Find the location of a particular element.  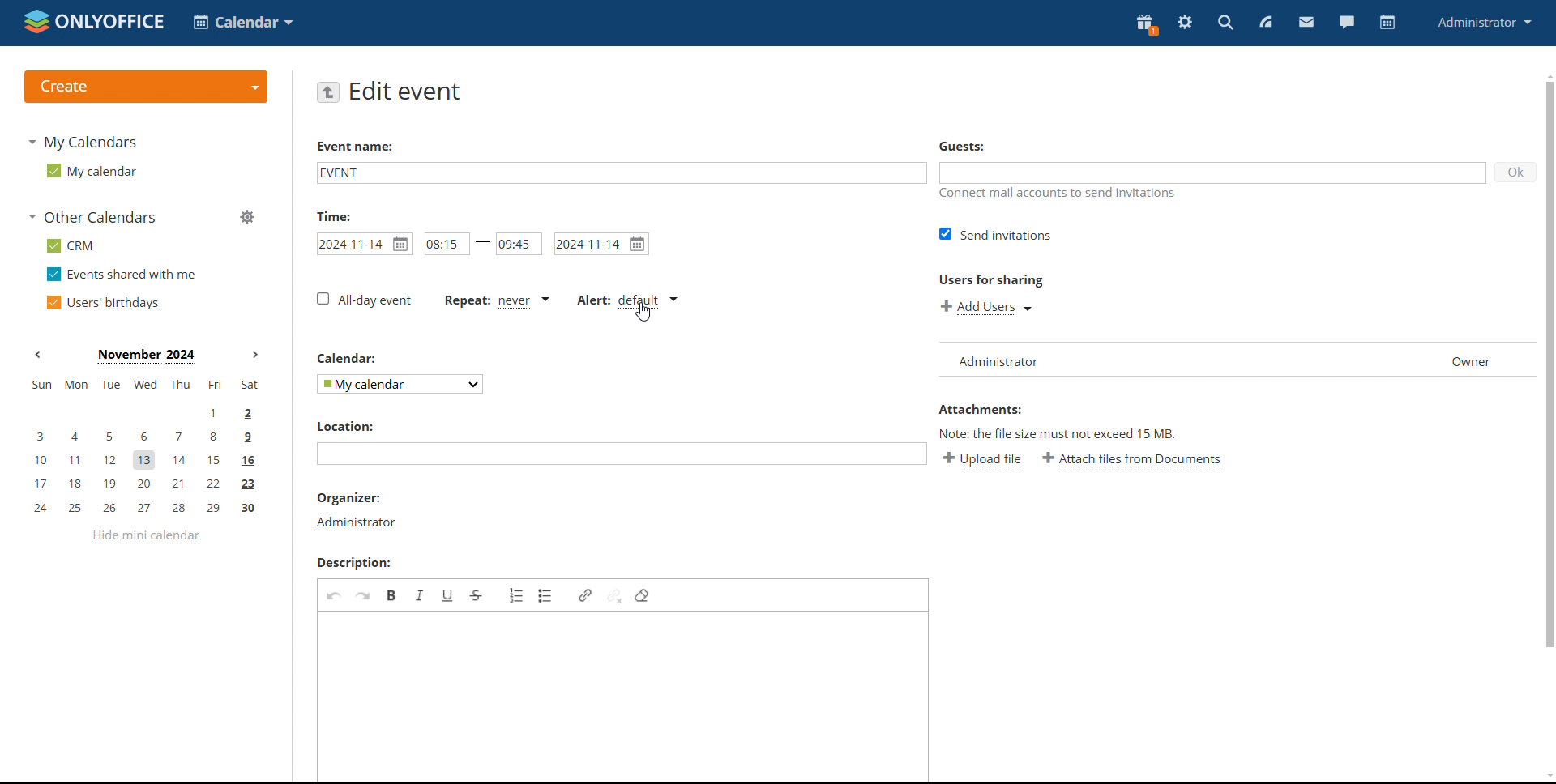

users for sharing label is located at coordinates (995, 280).